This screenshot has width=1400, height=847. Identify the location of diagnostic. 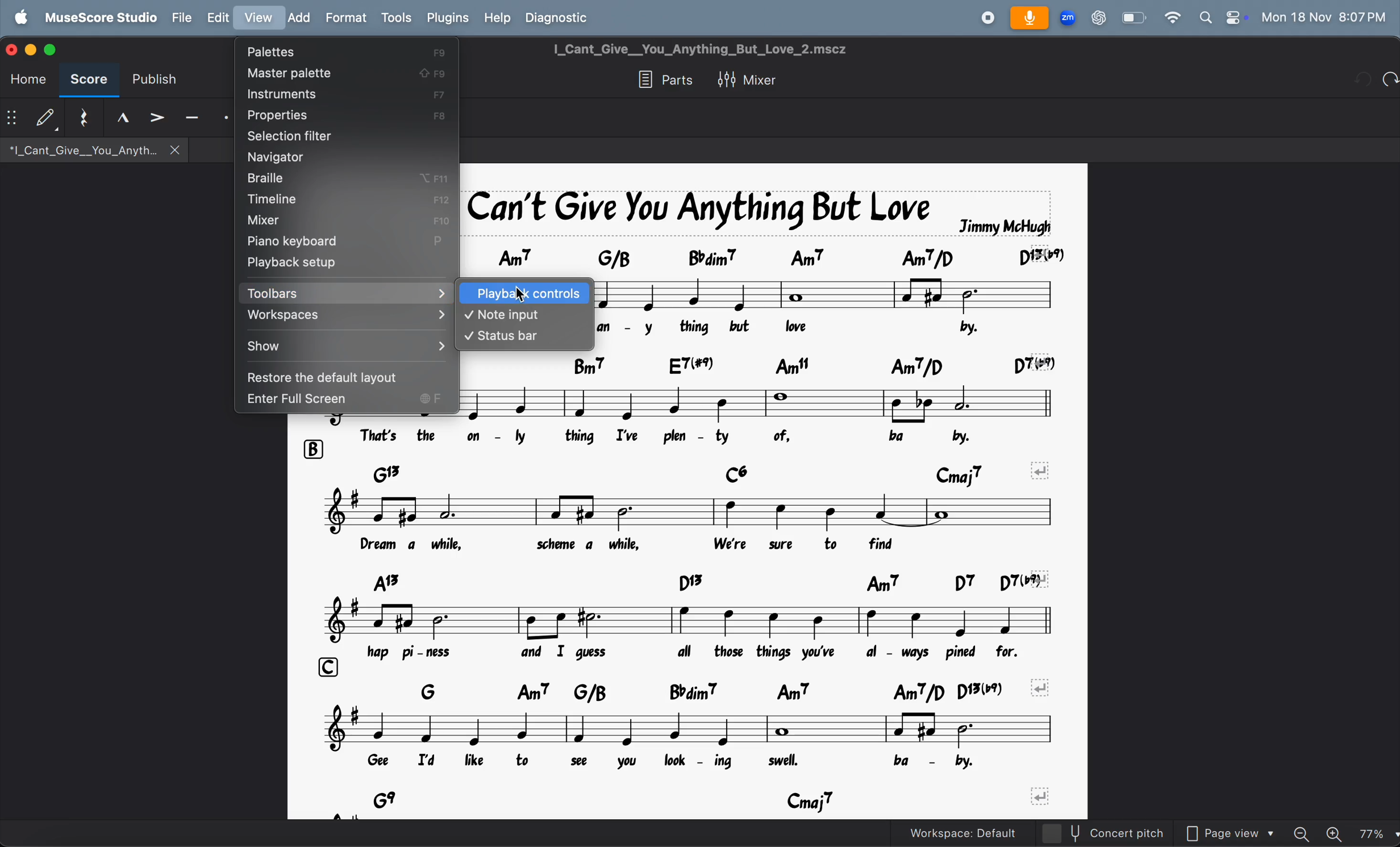
(561, 17).